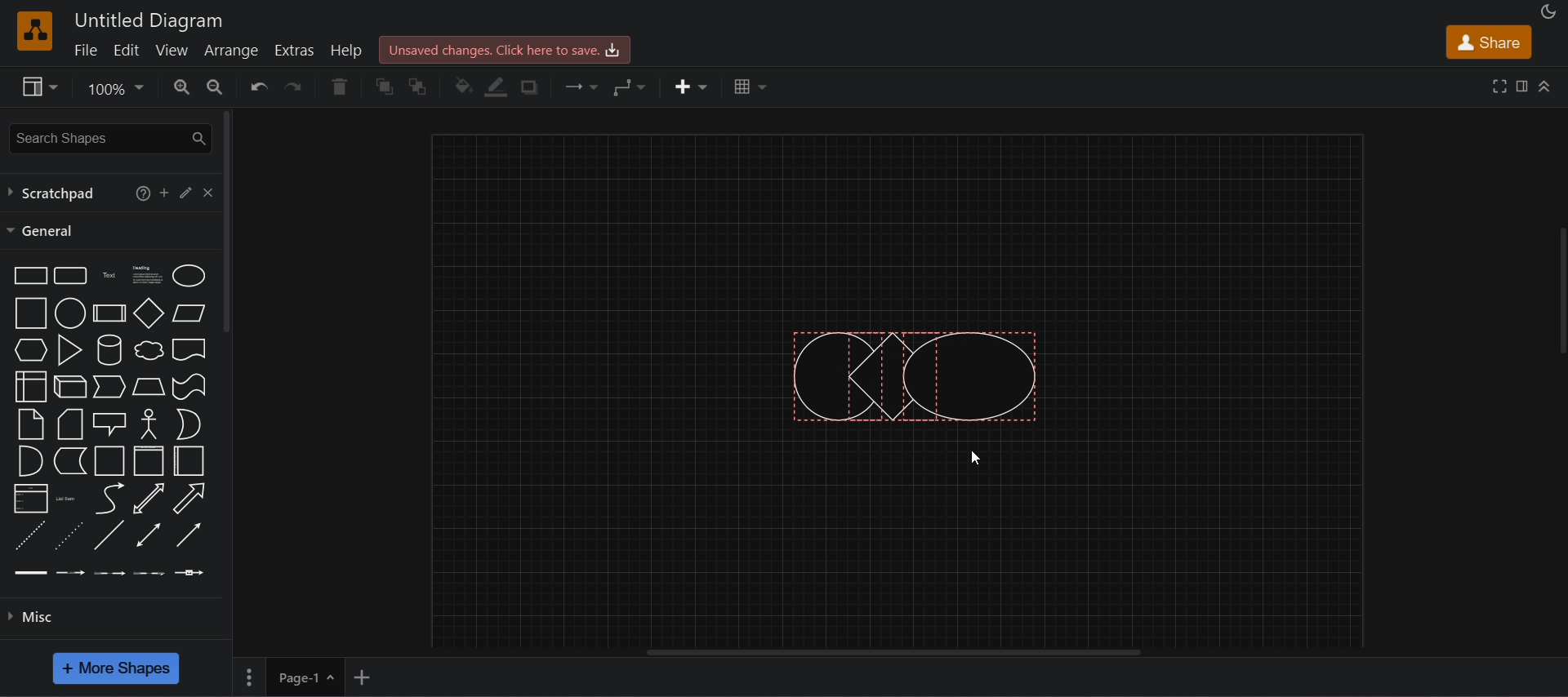  I want to click on and, so click(29, 461).